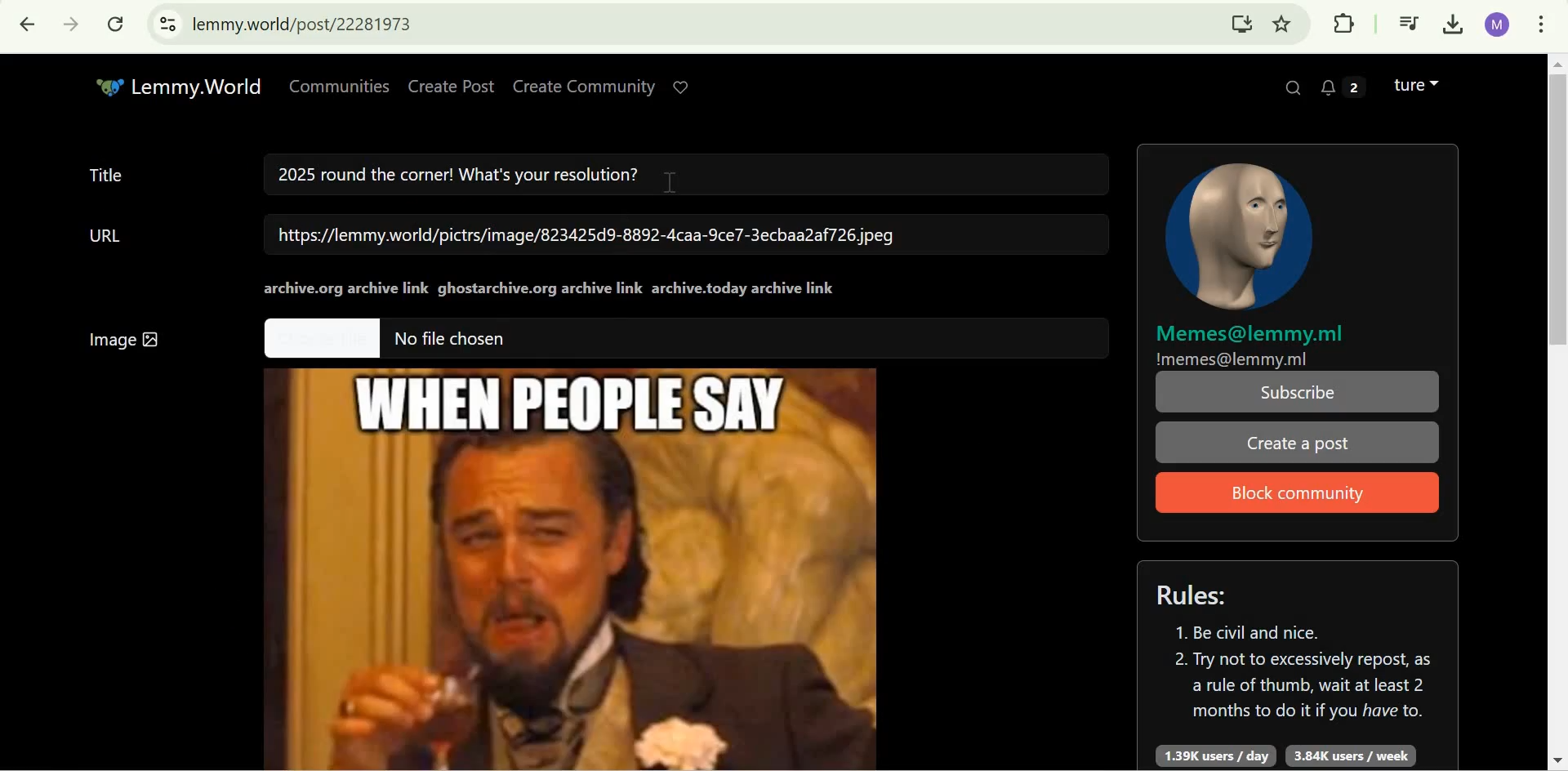 This screenshot has height=771, width=1568. I want to click on Lemmy account, so click(1416, 85).